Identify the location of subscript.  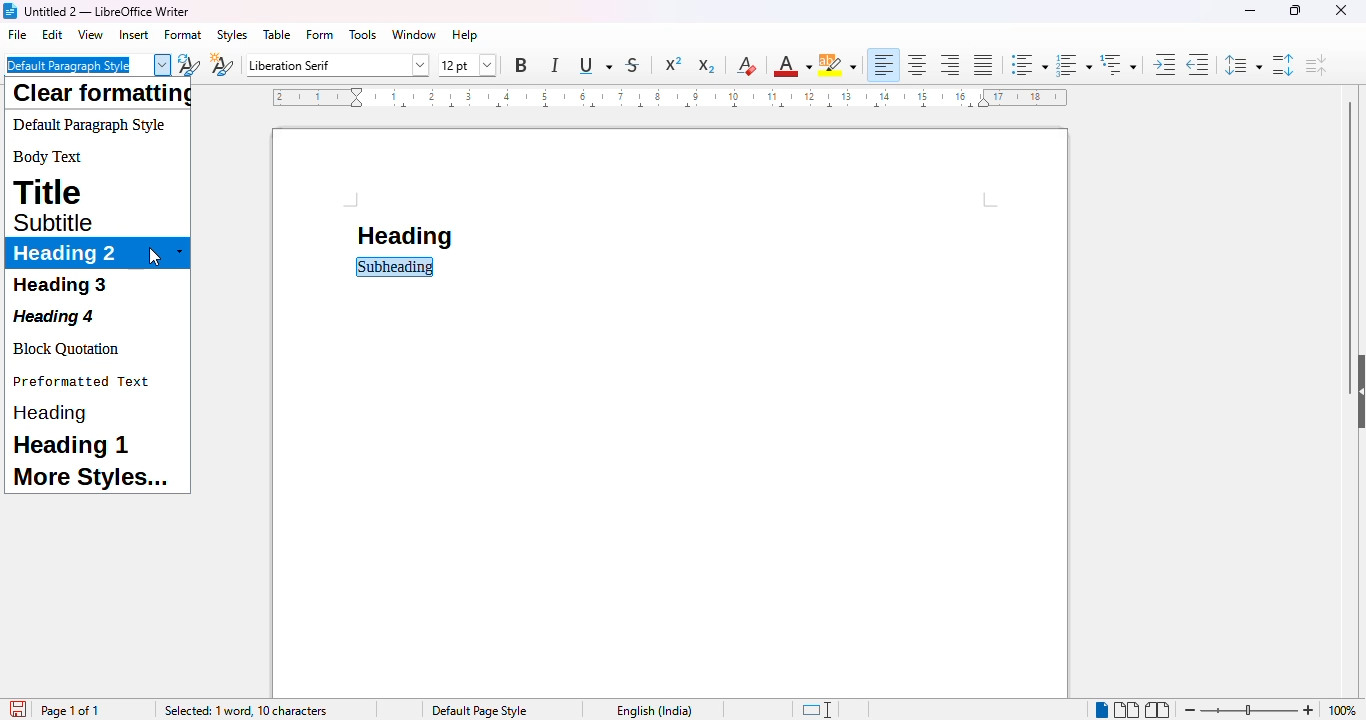
(706, 66).